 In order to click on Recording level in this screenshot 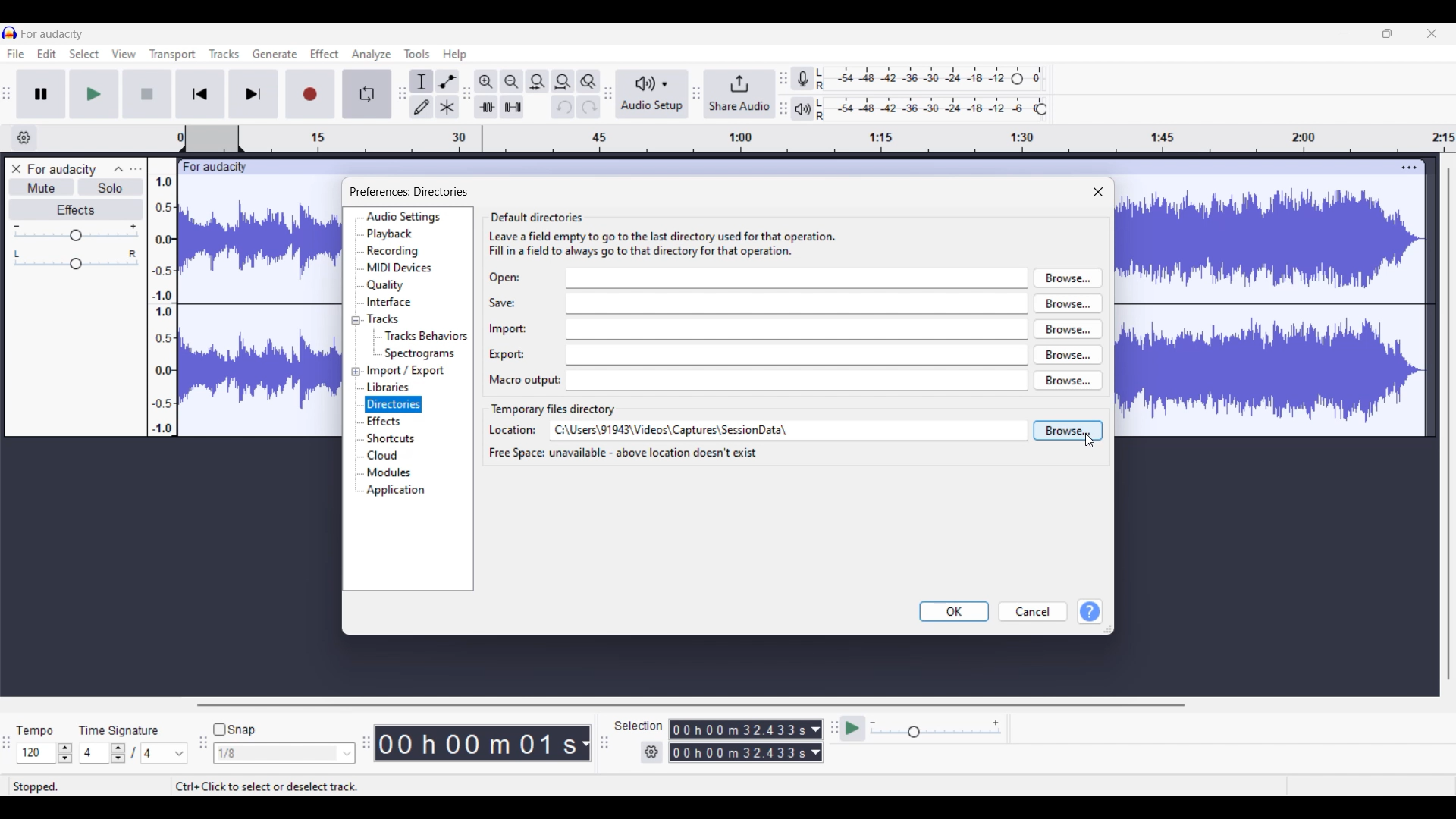, I will do `click(912, 79)`.